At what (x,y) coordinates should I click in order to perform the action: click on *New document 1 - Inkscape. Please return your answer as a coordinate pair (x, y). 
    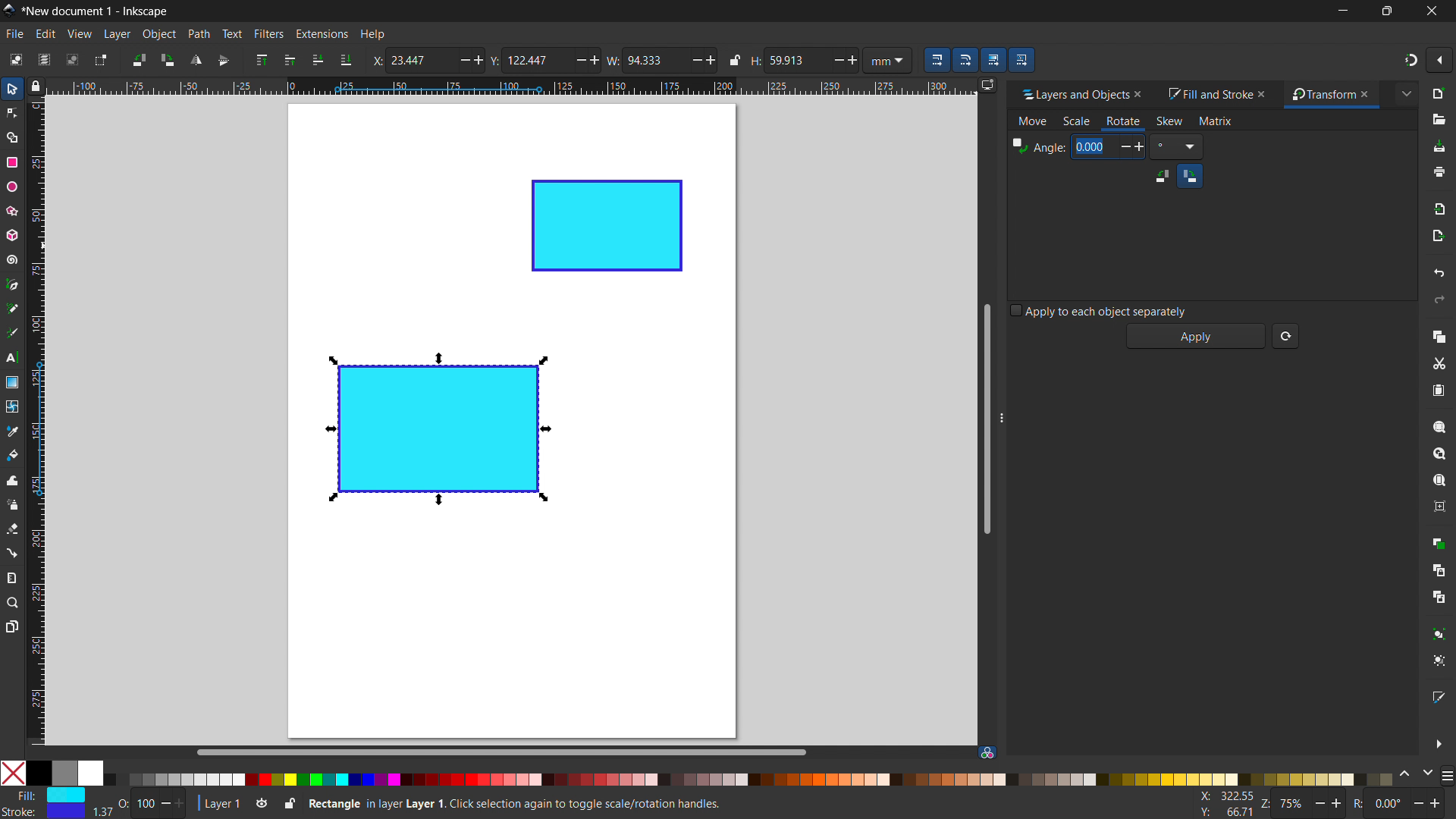
    Looking at the image, I should click on (96, 11).